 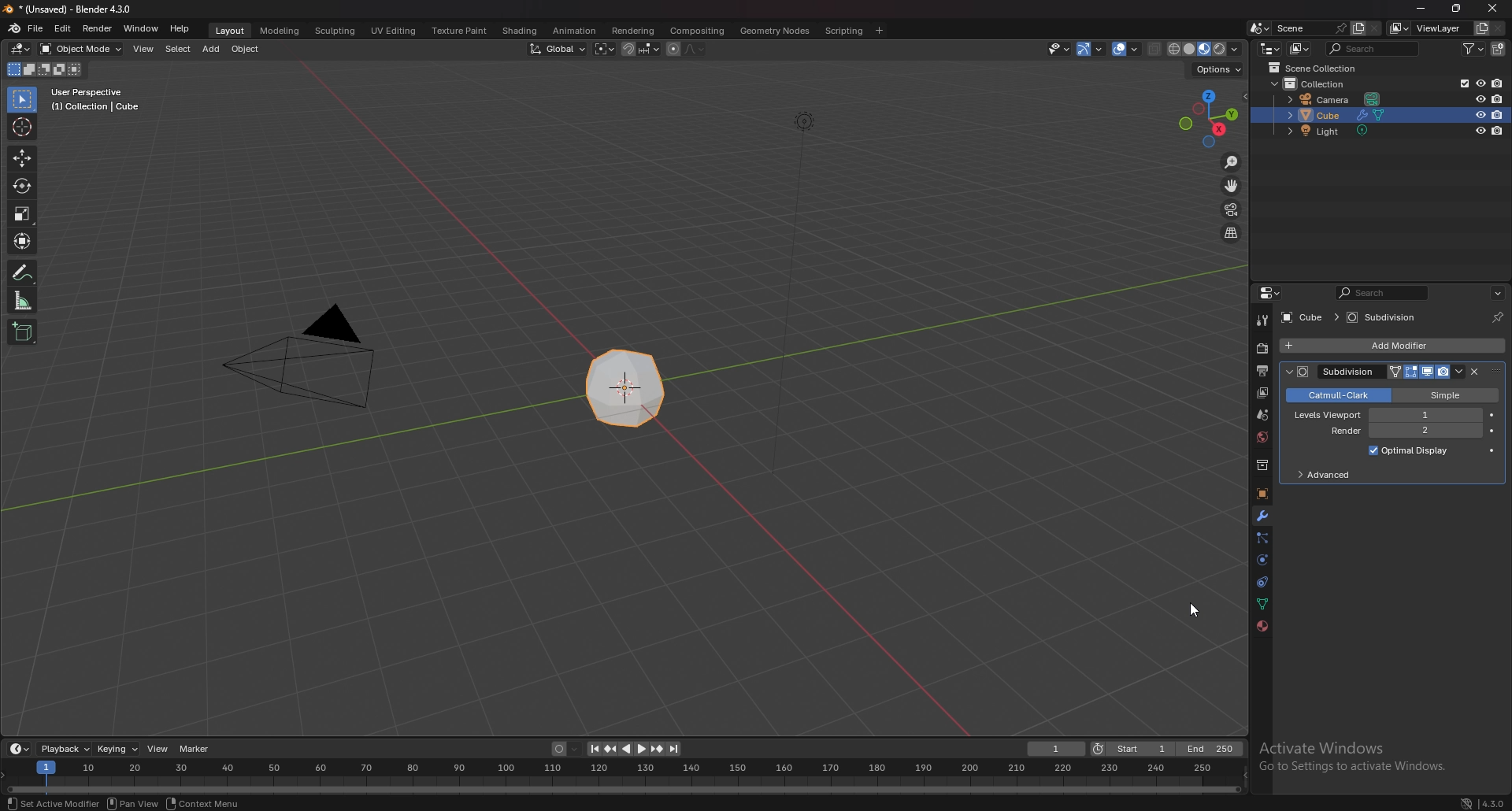 What do you see at coordinates (1494, 431) in the screenshot?
I see `animate property` at bounding box center [1494, 431].